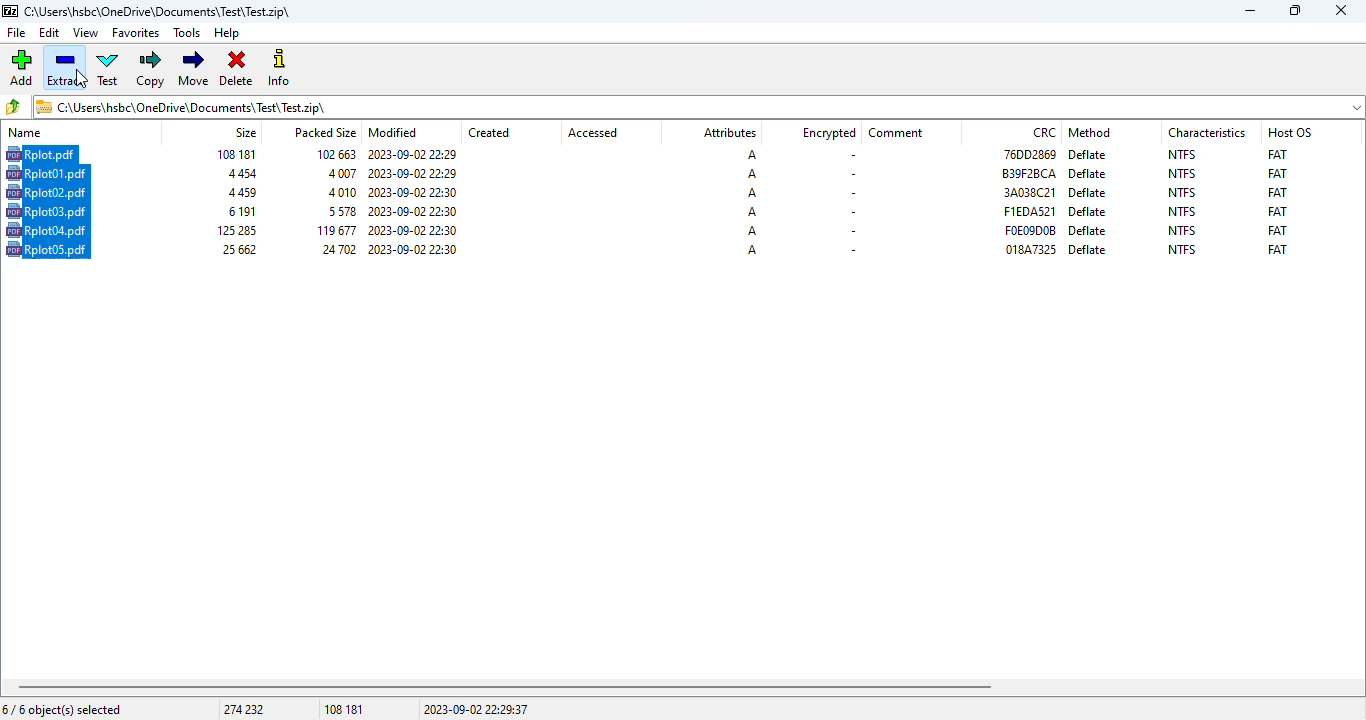 Image resolution: width=1366 pixels, height=720 pixels. What do you see at coordinates (157, 11) in the screenshot?
I see `.zip archive` at bounding box center [157, 11].